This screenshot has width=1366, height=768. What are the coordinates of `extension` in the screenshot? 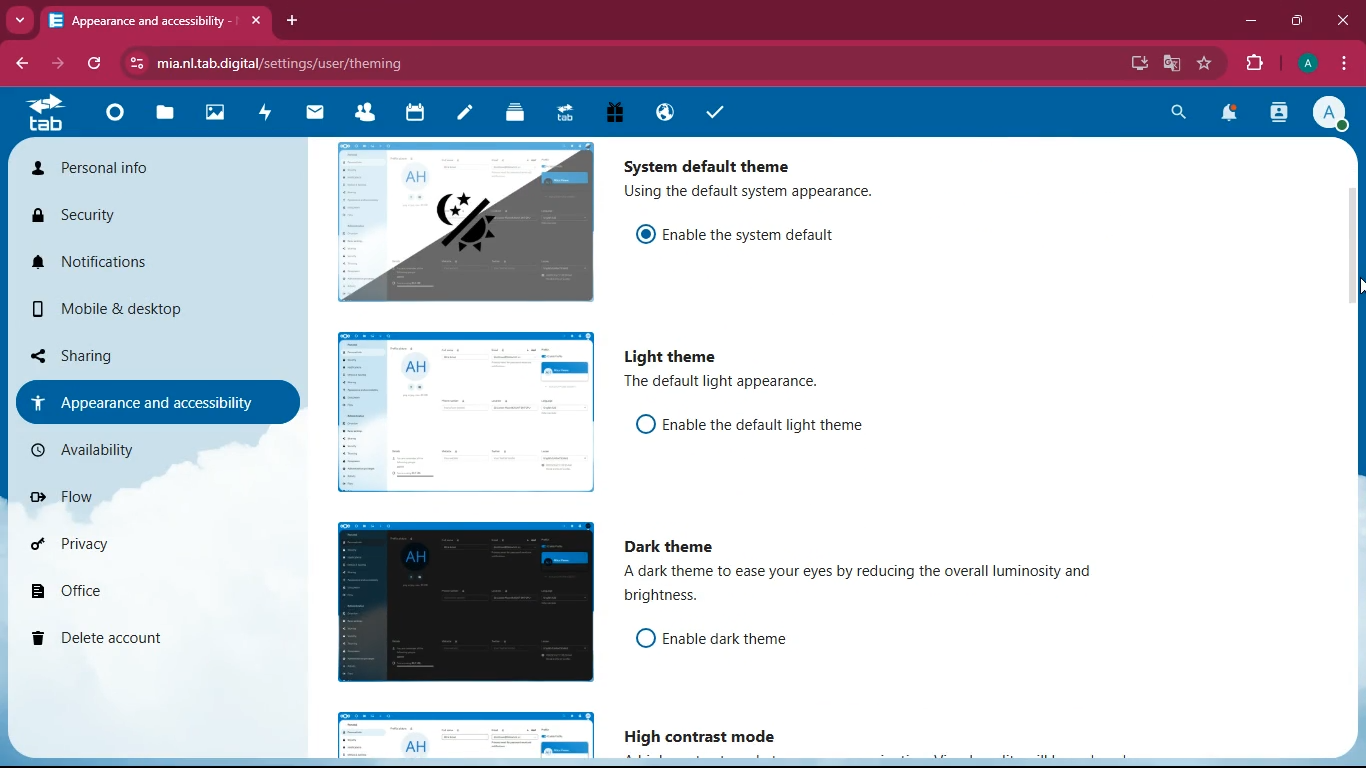 It's located at (1259, 63).